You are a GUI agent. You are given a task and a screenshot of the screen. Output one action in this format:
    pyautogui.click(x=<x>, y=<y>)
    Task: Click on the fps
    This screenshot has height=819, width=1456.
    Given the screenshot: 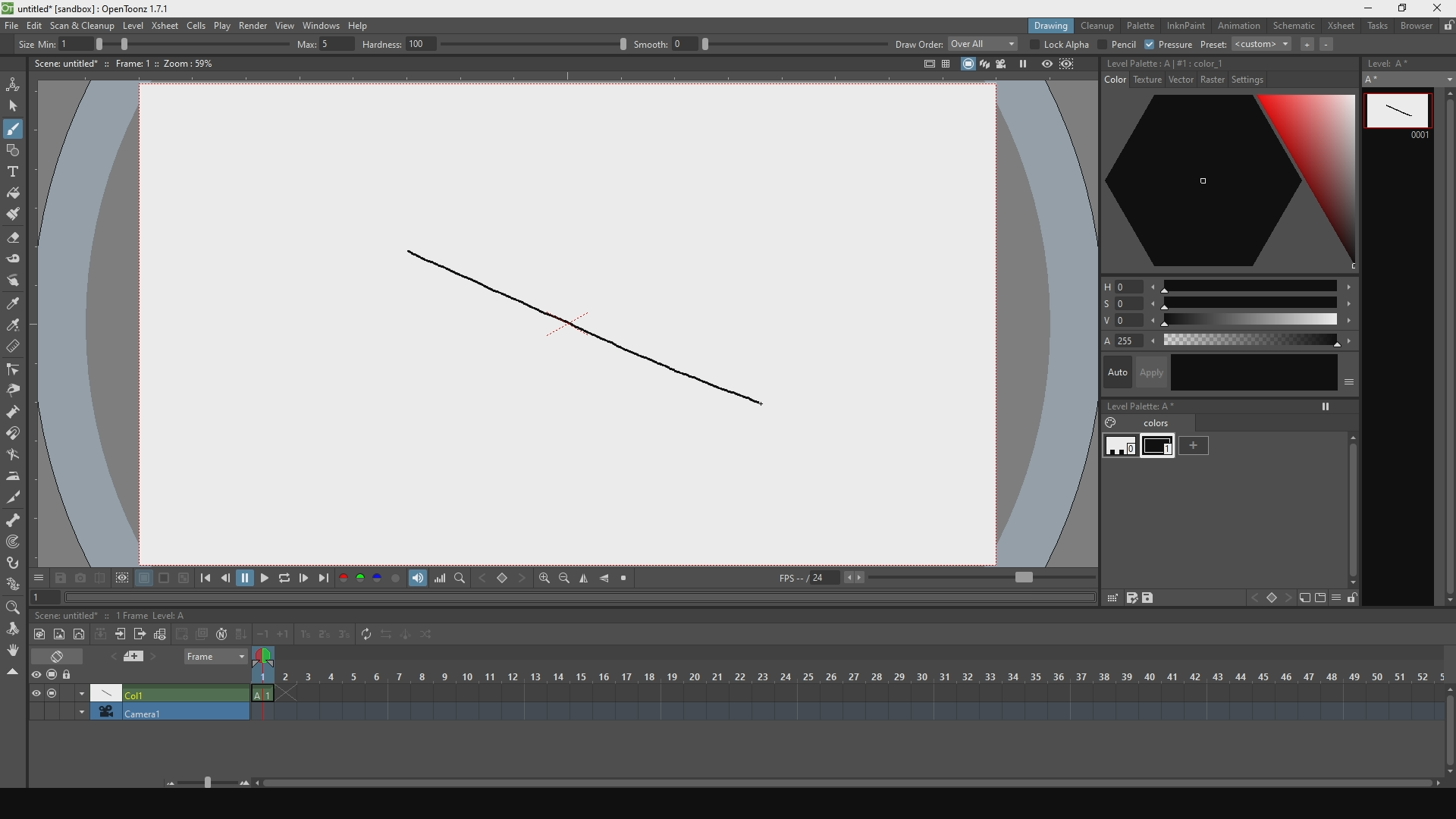 What is the action you would take?
    pyautogui.click(x=937, y=578)
    